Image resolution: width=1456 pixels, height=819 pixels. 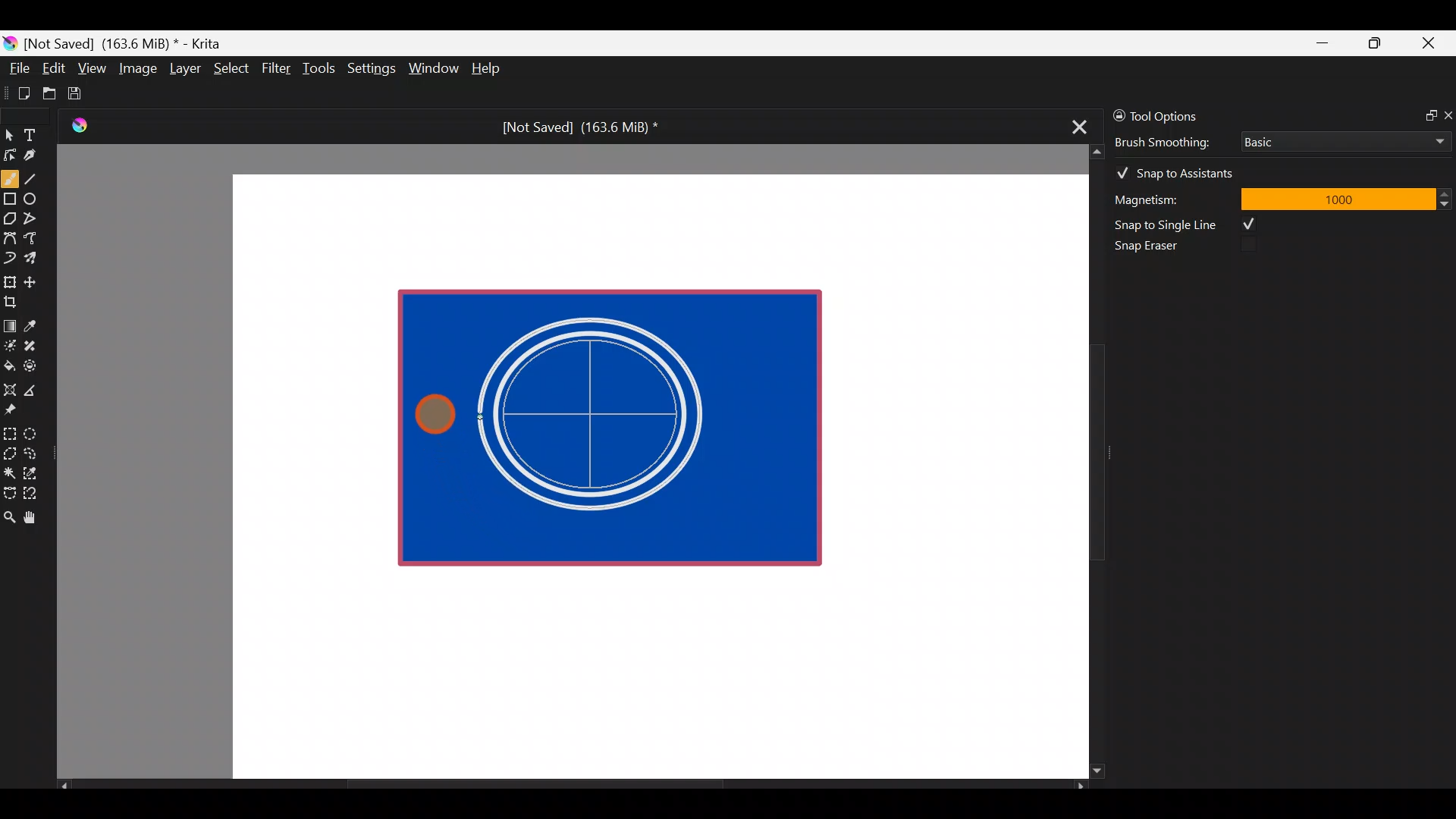 What do you see at coordinates (433, 70) in the screenshot?
I see `Window` at bounding box center [433, 70].